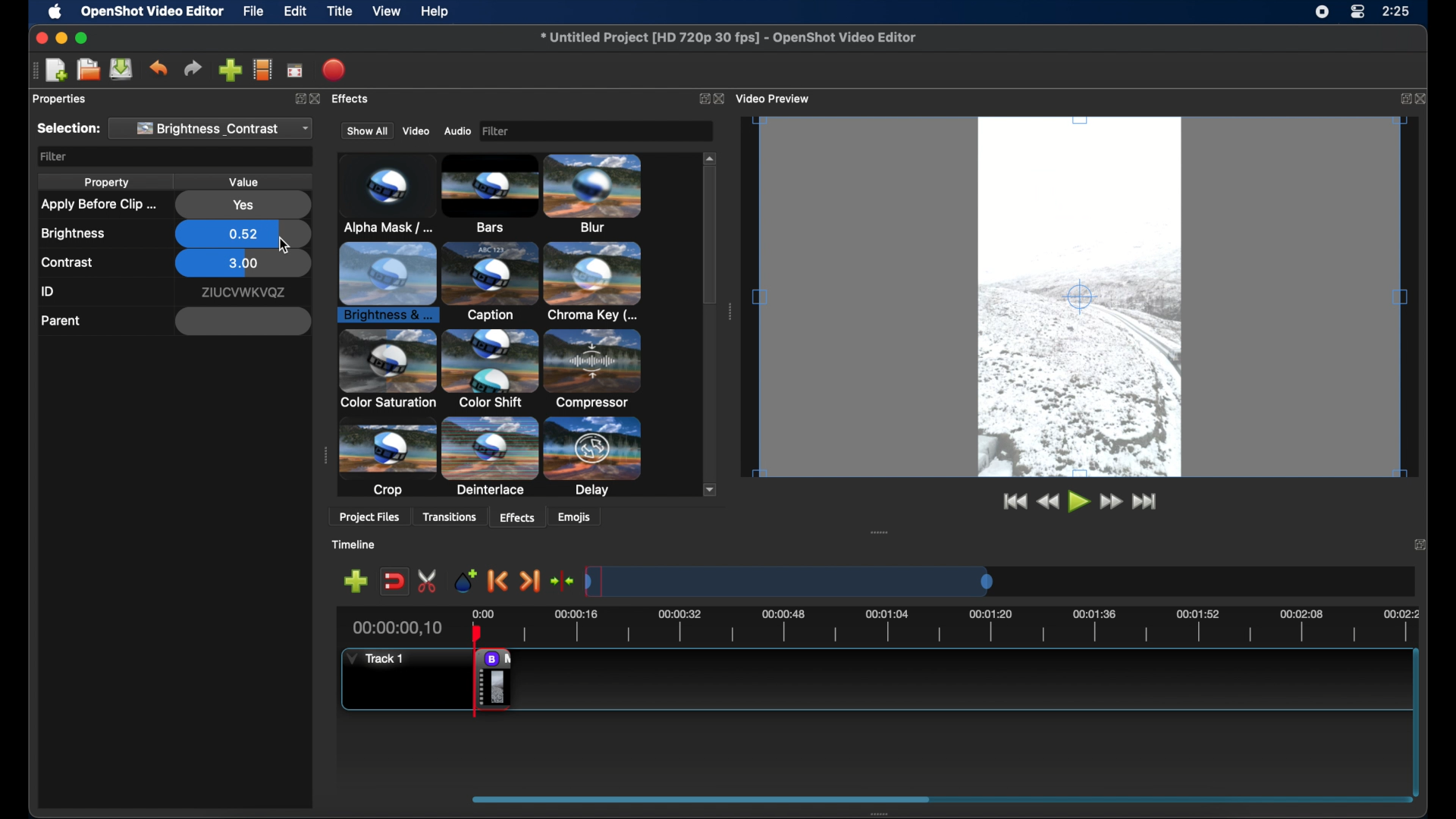 The image size is (1456, 819). I want to click on timeline, so click(361, 545).